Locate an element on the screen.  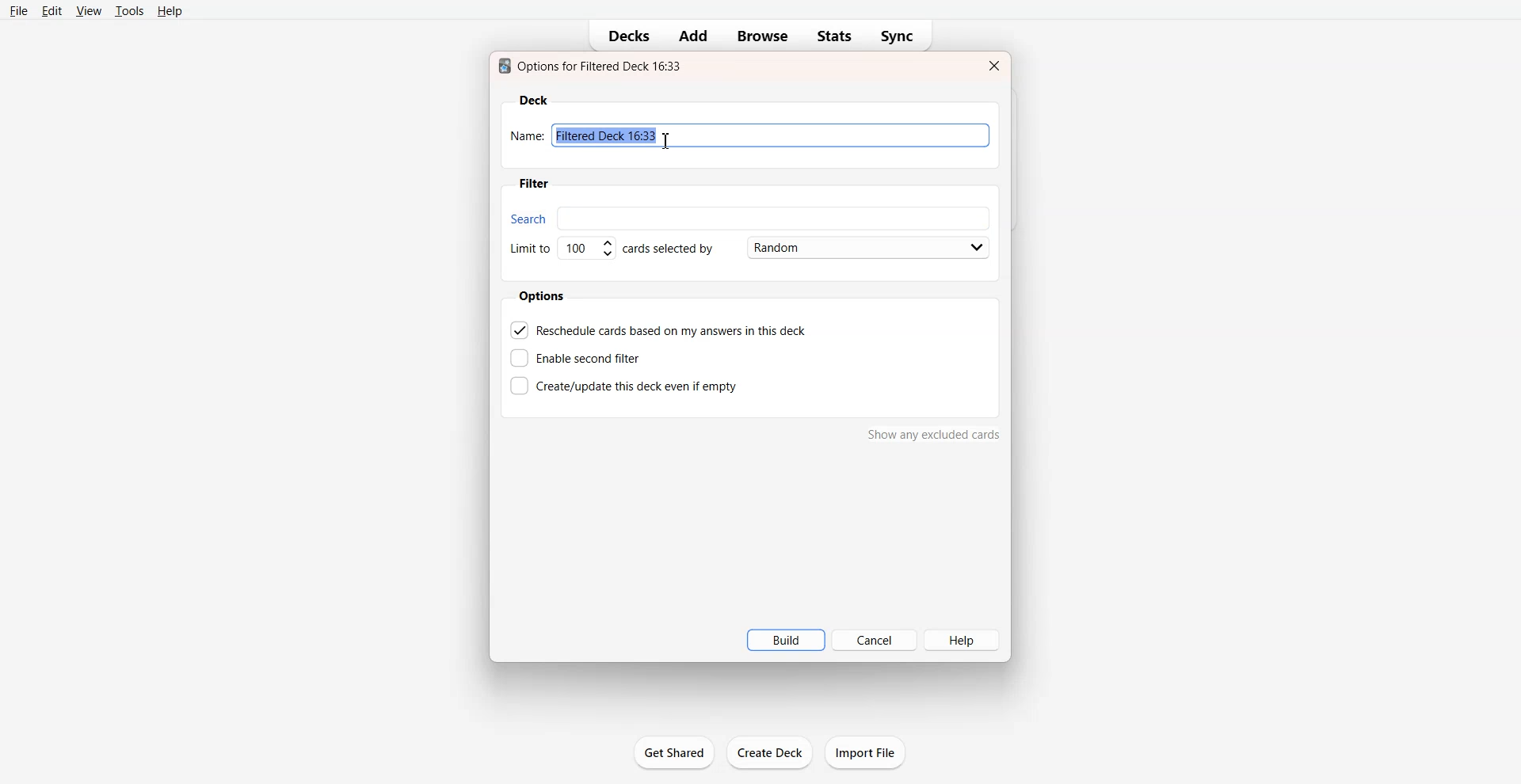
Reschedule cards based on my answer is located at coordinates (660, 329).